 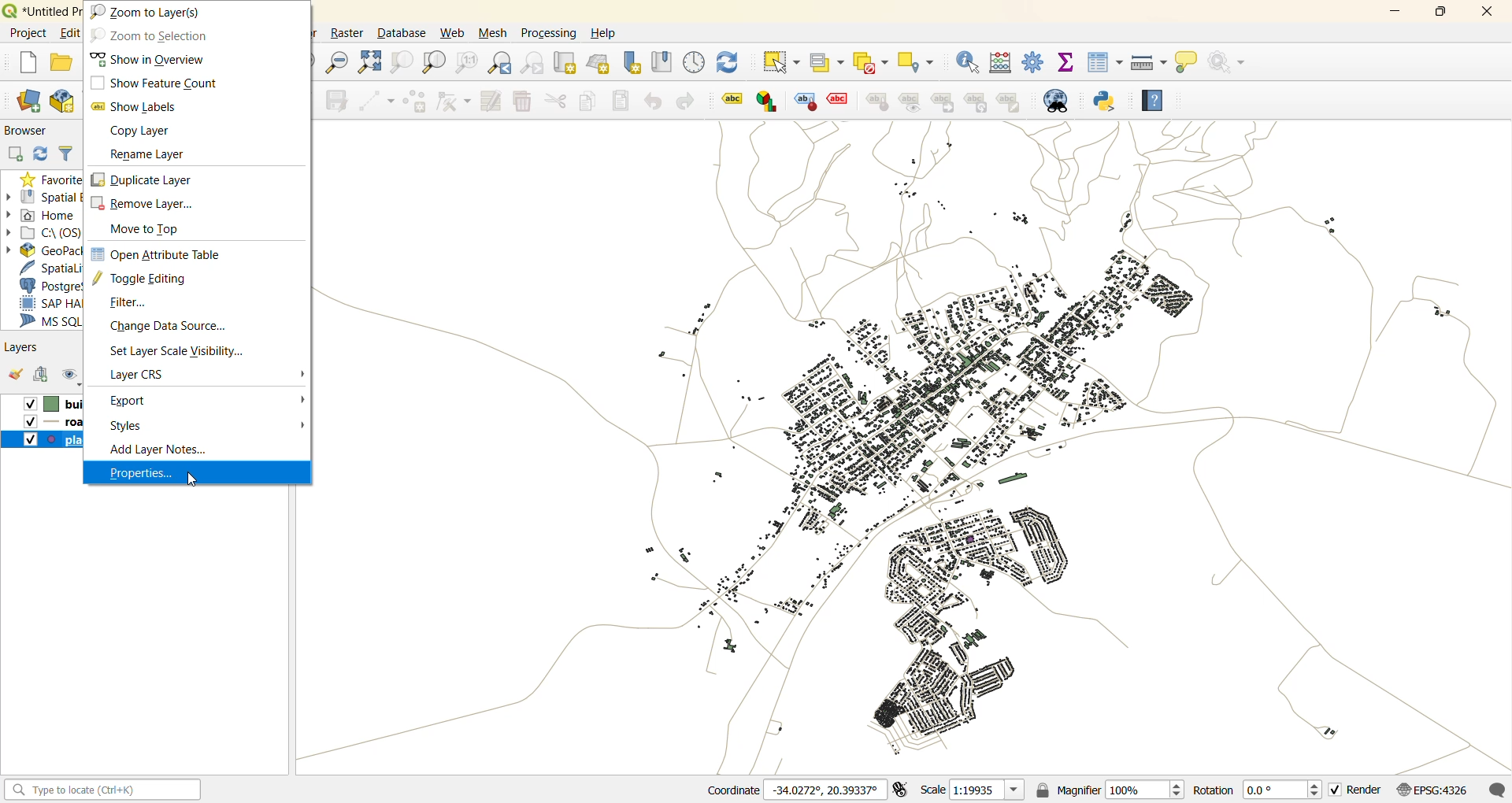 I want to click on zoom selection, so click(x=402, y=62).